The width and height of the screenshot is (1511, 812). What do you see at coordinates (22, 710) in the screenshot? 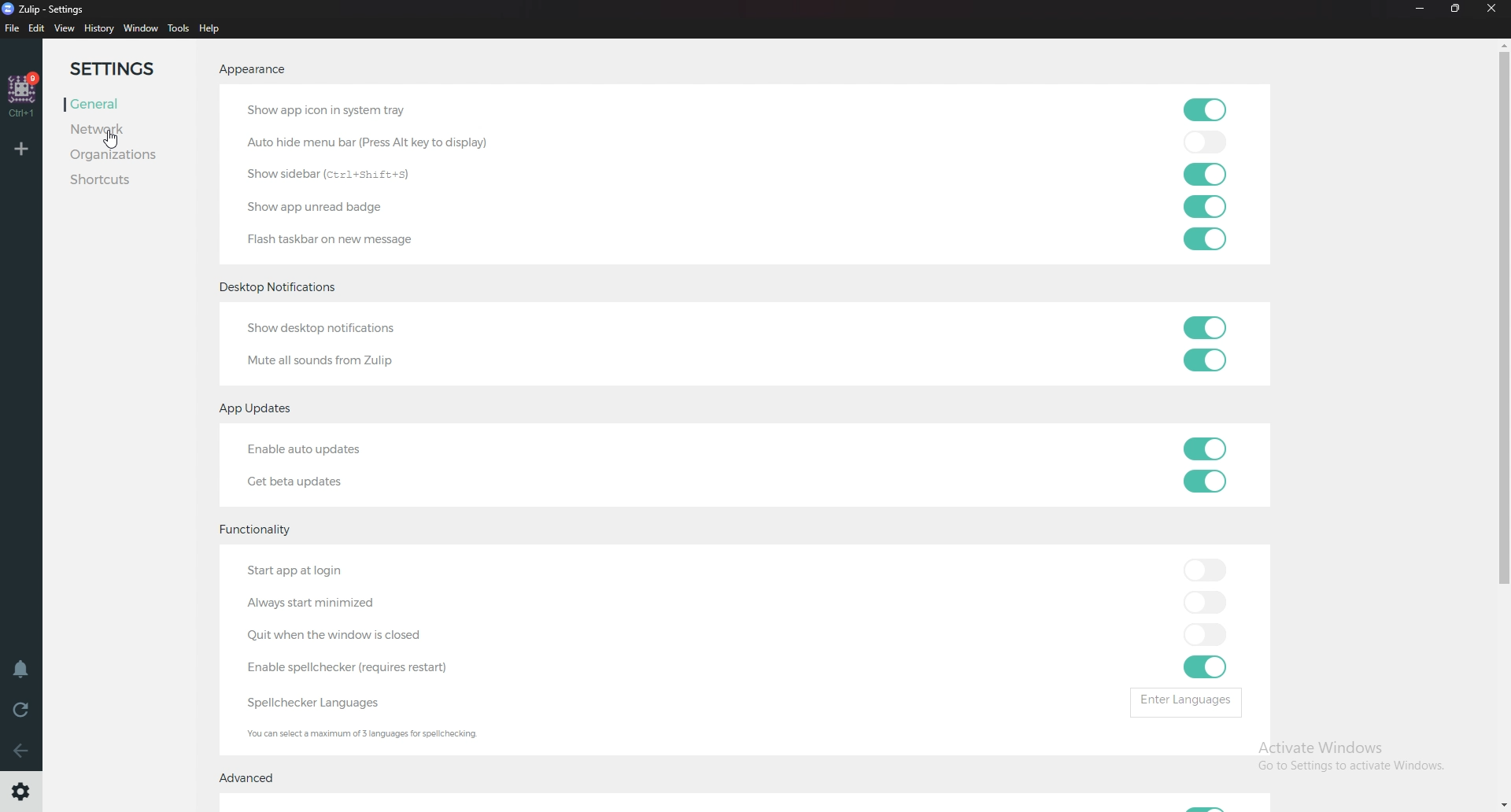
I see `reload` at bounding box center [22, 710].